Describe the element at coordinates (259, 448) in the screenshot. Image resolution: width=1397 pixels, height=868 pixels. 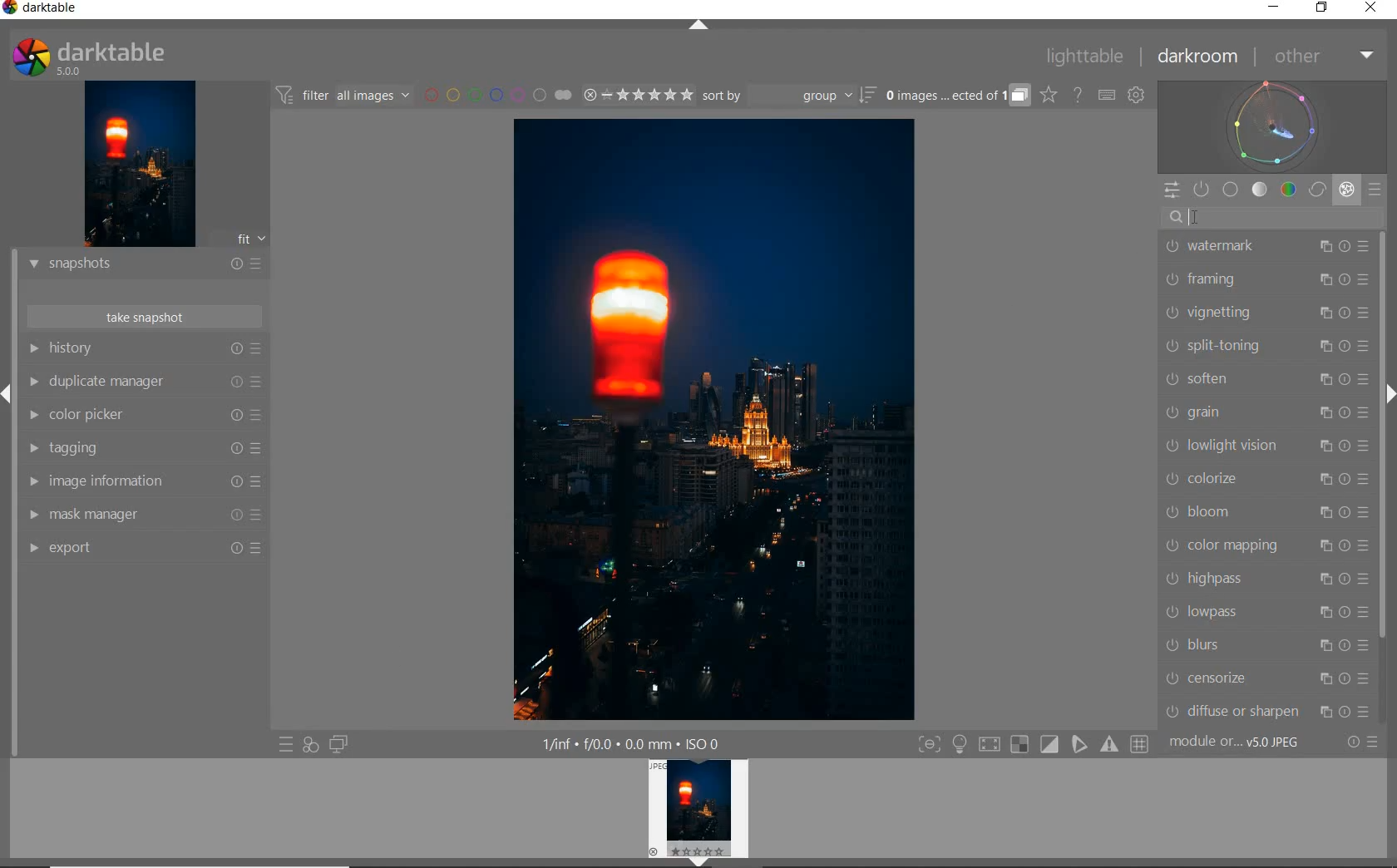
I see `Preset and reset` at that location.